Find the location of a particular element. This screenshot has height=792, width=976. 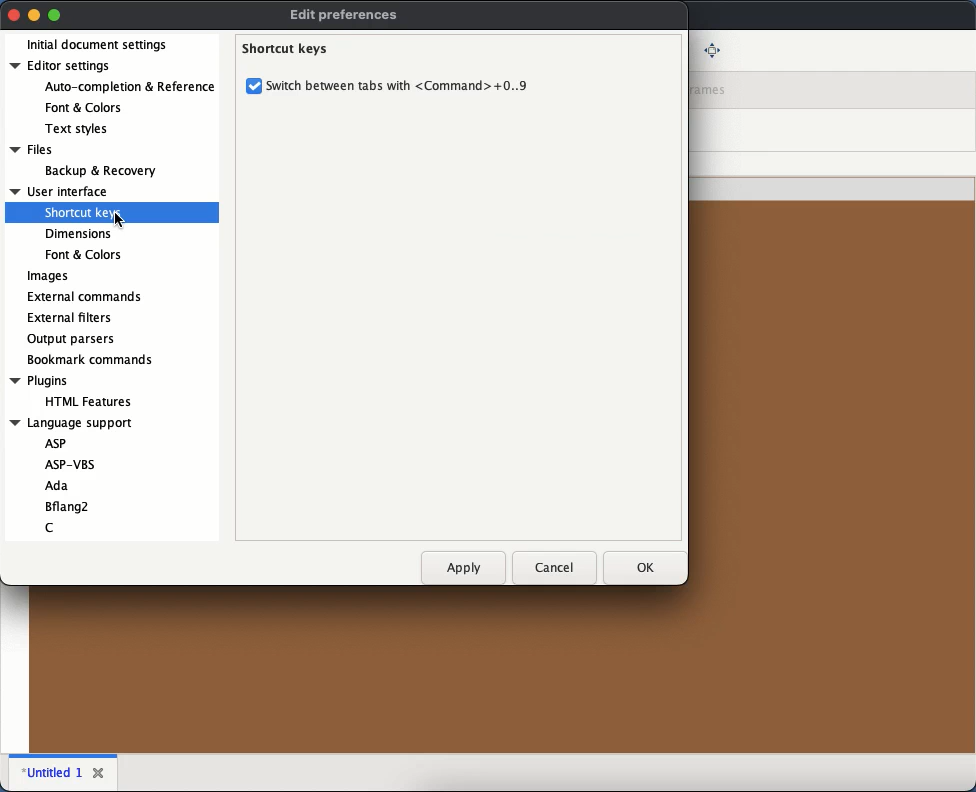

output parsers is located at coordinates (70, 338).